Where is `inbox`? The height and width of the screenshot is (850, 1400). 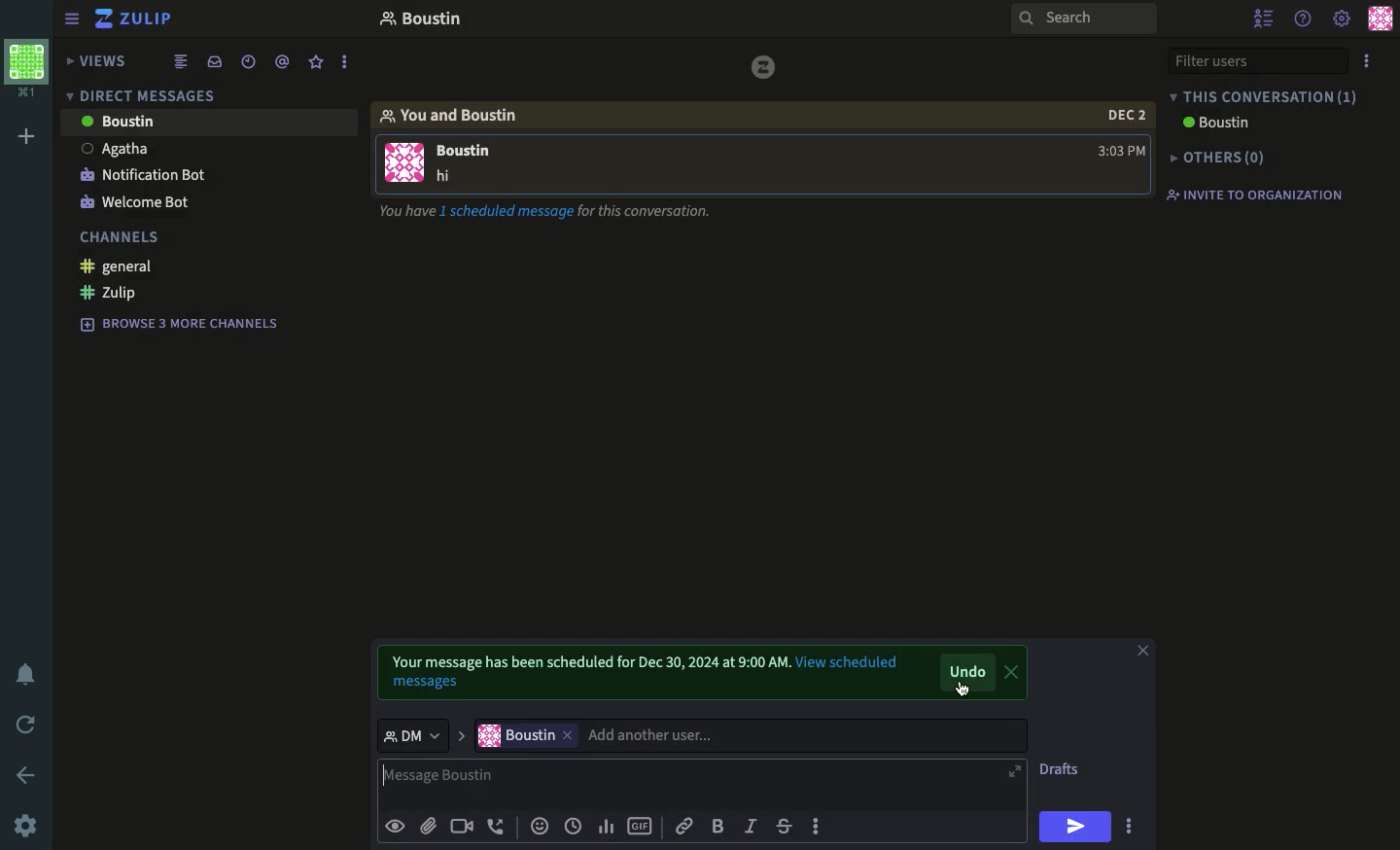 inbox is located at coordinates (217, 61).